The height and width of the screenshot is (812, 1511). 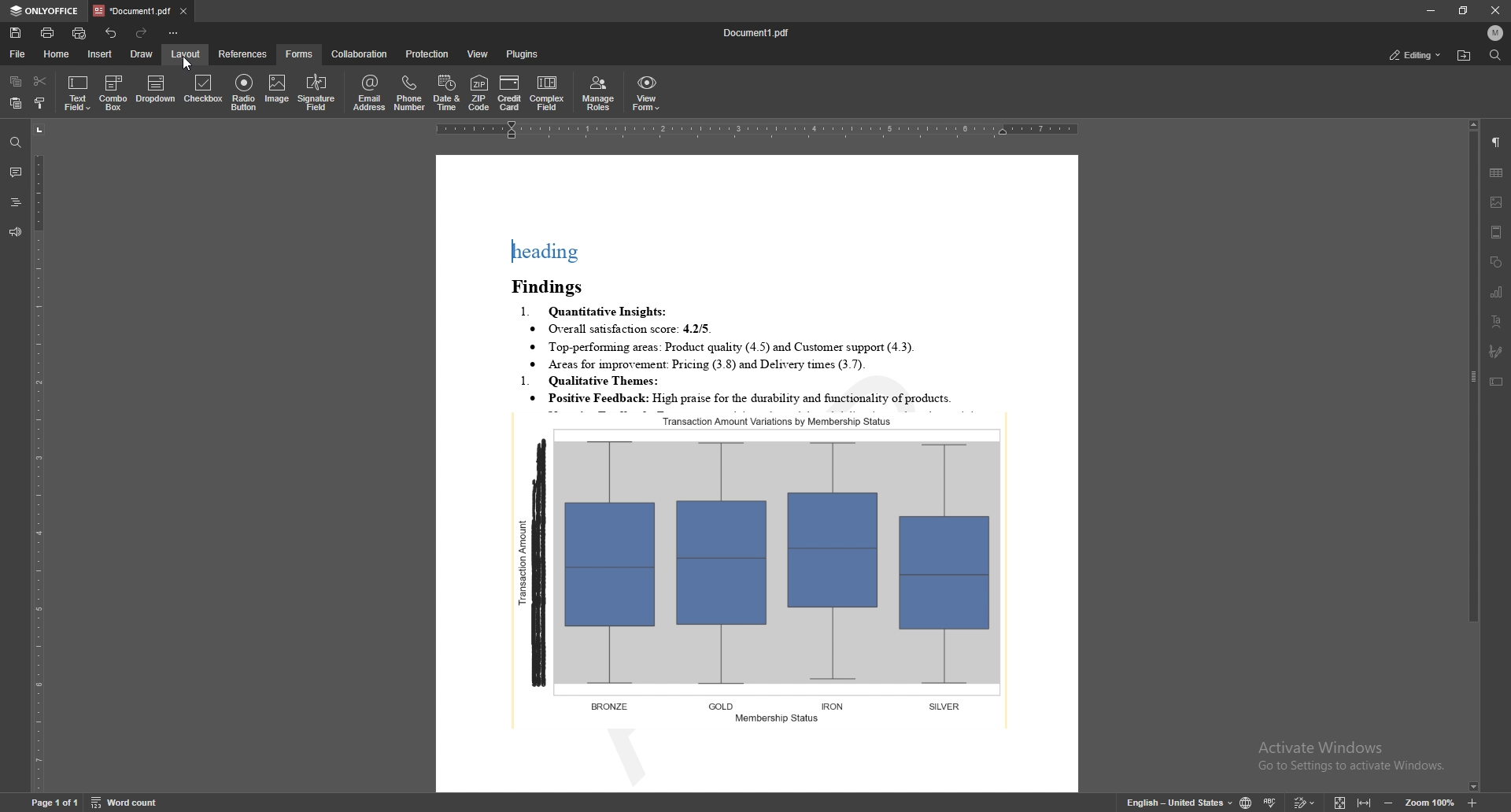 I want to click on table, so click(x=1497, y=173).